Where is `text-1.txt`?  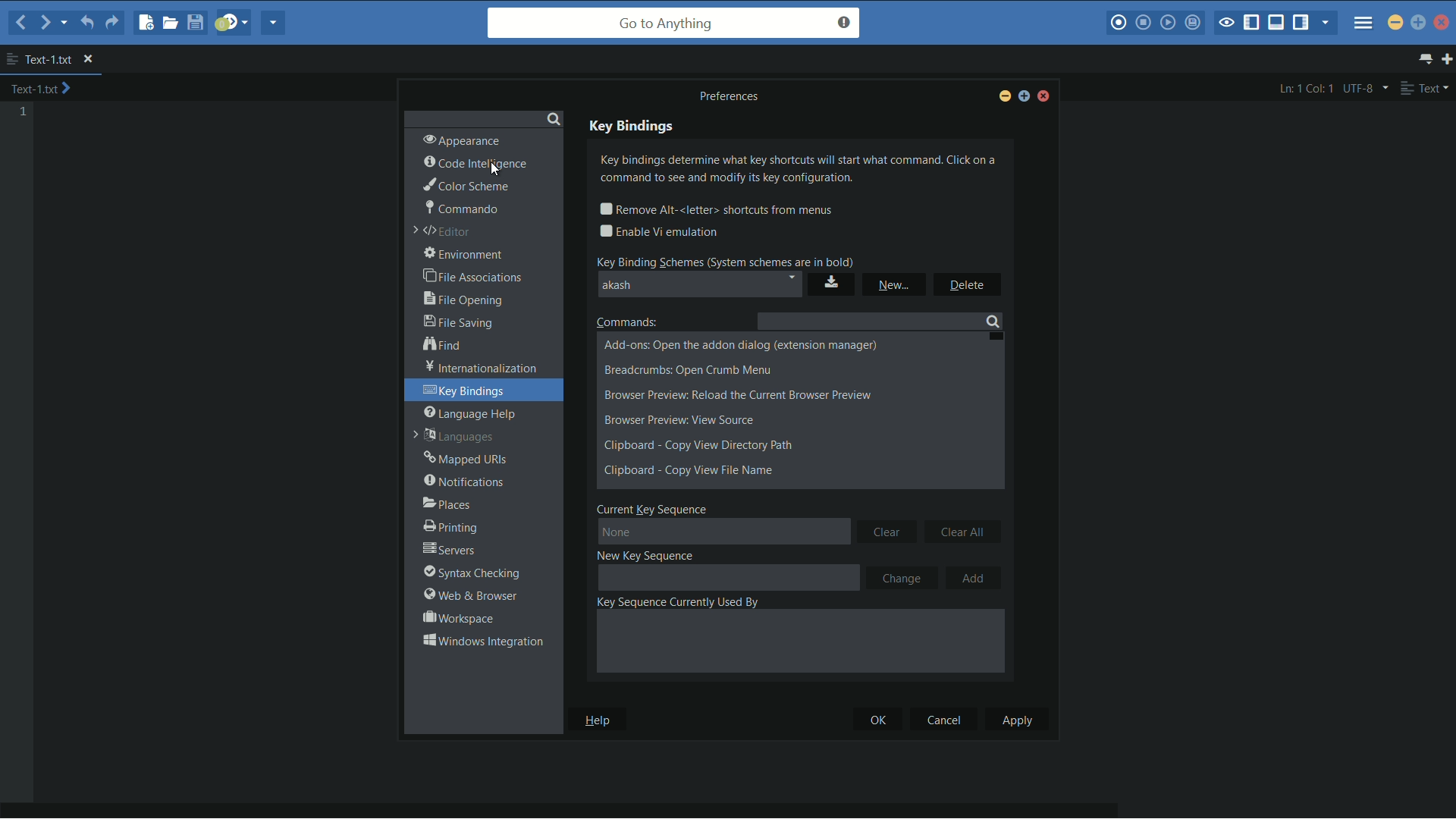 text-1.txt is located at coordinates (39, 59).